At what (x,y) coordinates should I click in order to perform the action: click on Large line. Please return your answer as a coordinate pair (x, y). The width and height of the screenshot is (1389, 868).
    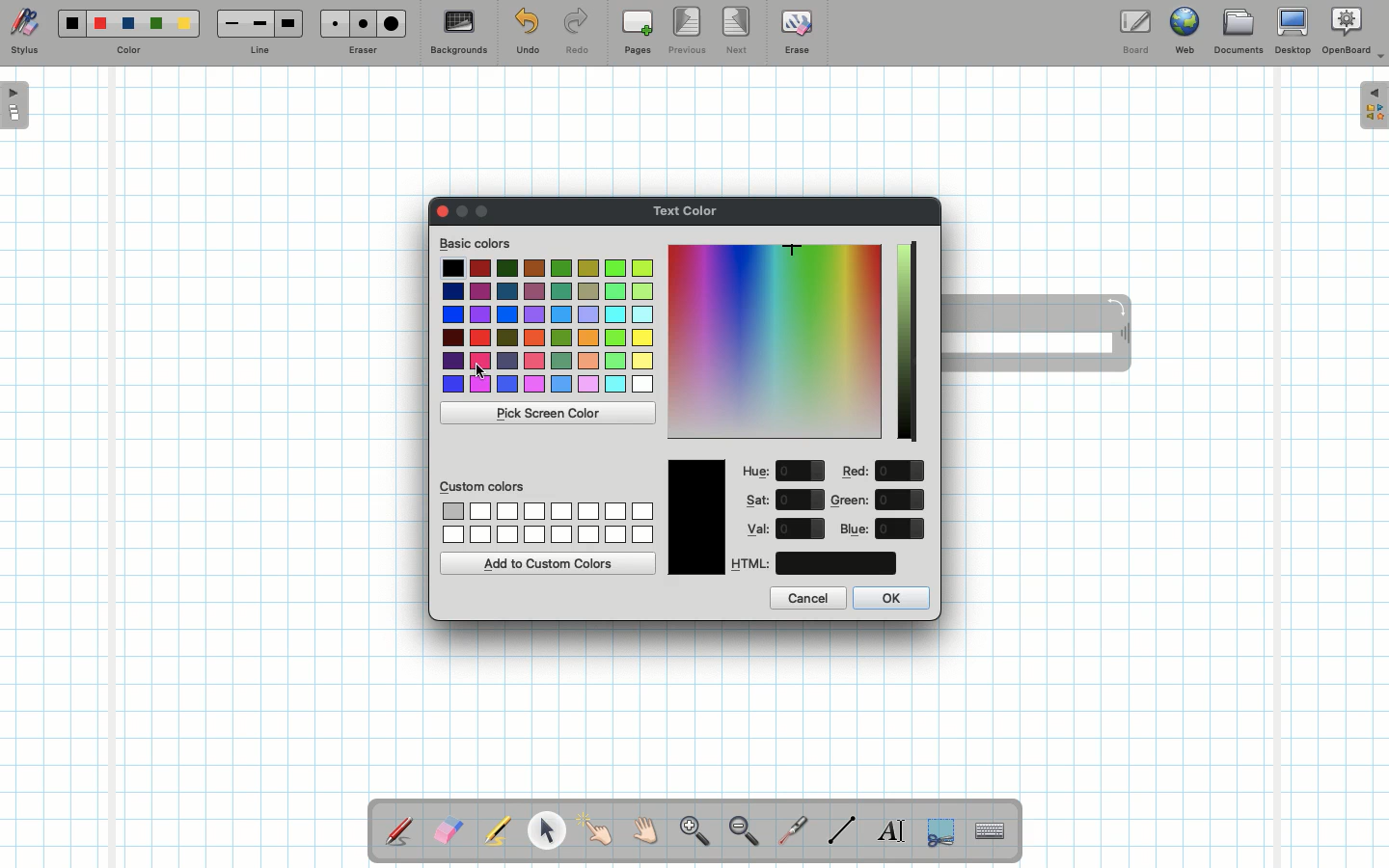
    Looking at the image, I should click on (289, 23).